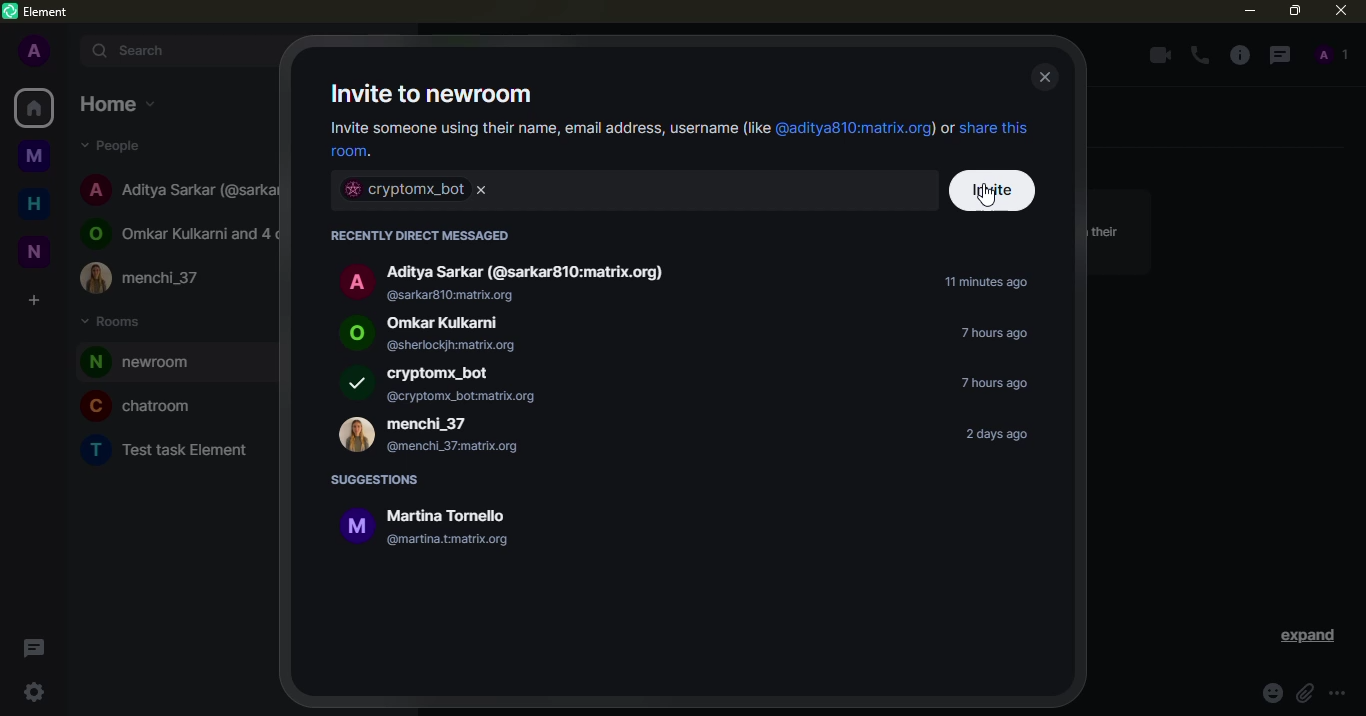 This screenshot has height=716, width=1366. What do you see at coordinates (120, 105) in the screenshot?
I see `home` at bounding box center [120, 105].